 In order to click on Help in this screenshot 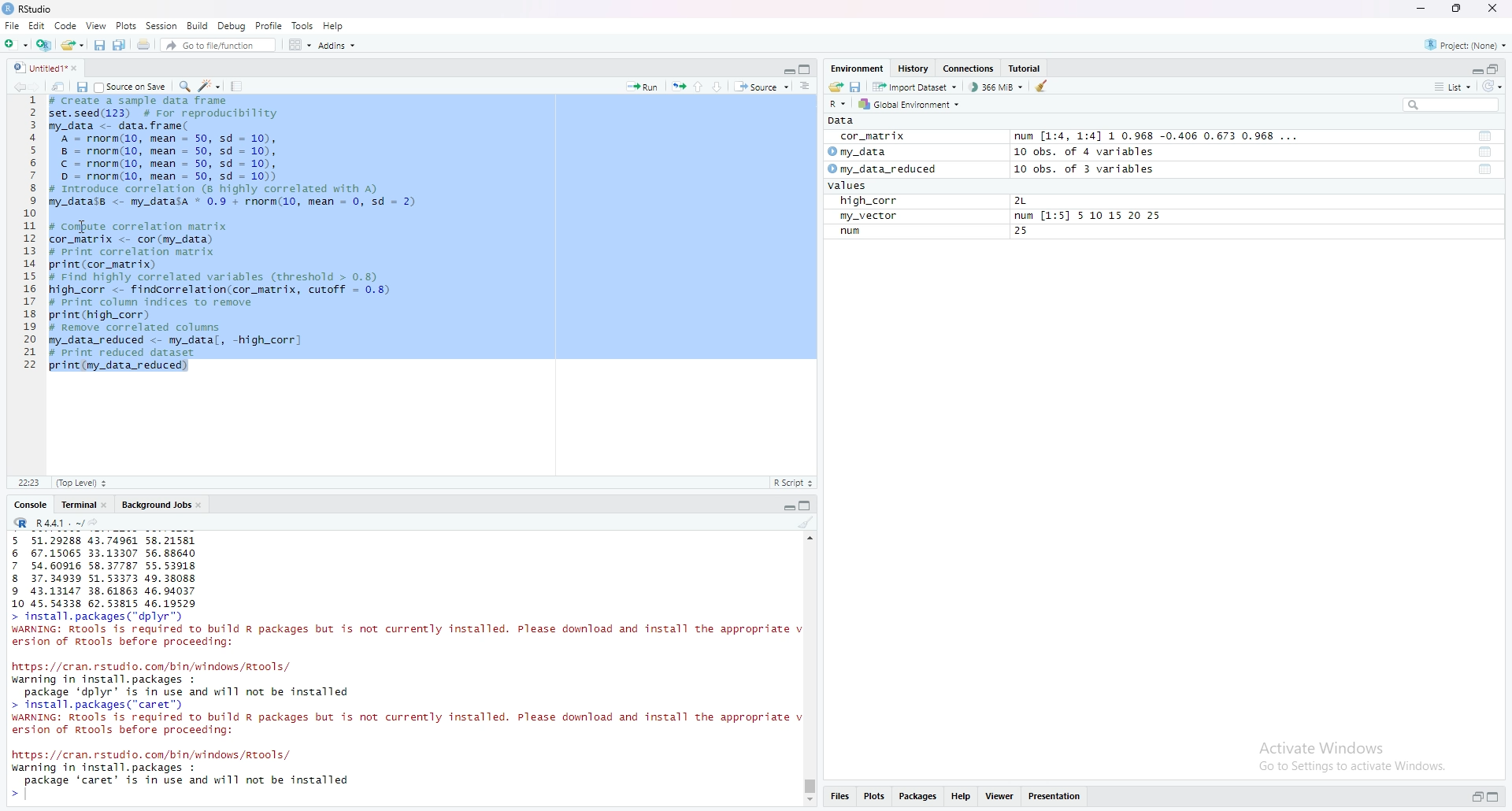, I will do `click(335, 26)`.